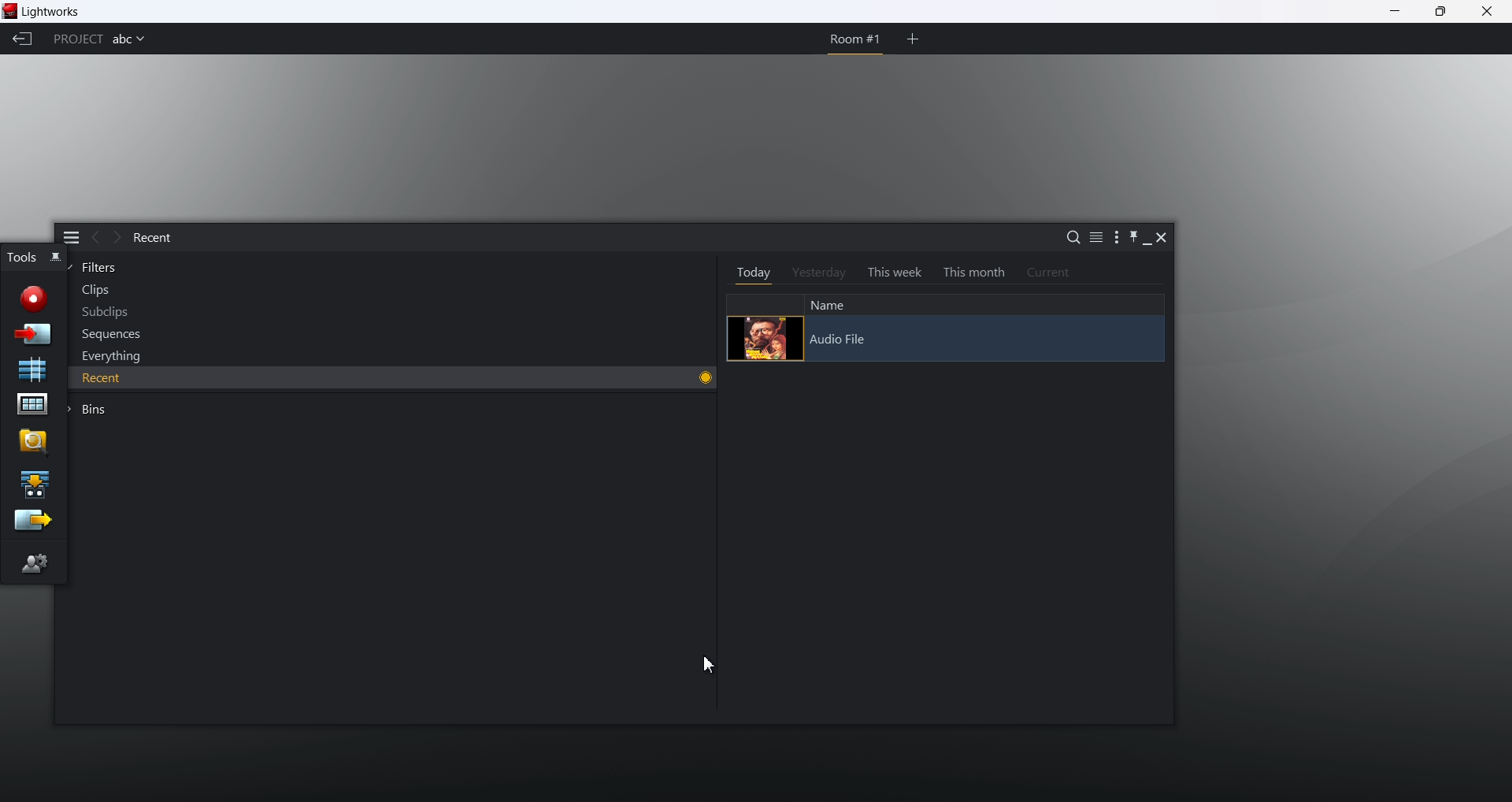 The height and width of the screenshot is (802, 1512). I want to click on subclips, so click(102, 313).